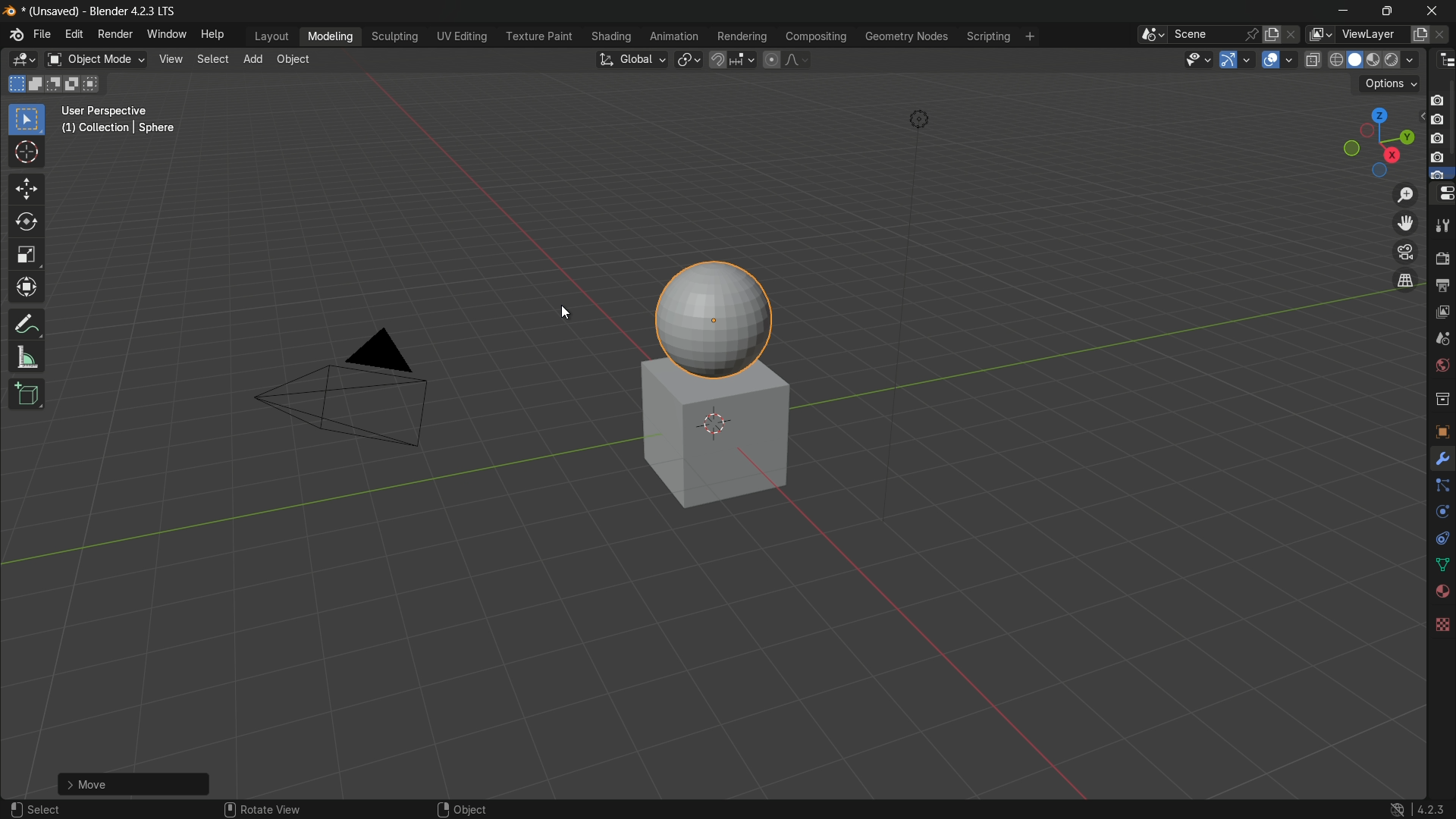 The image size is (1456, 819). I want to click on world, so click(1442, 366).